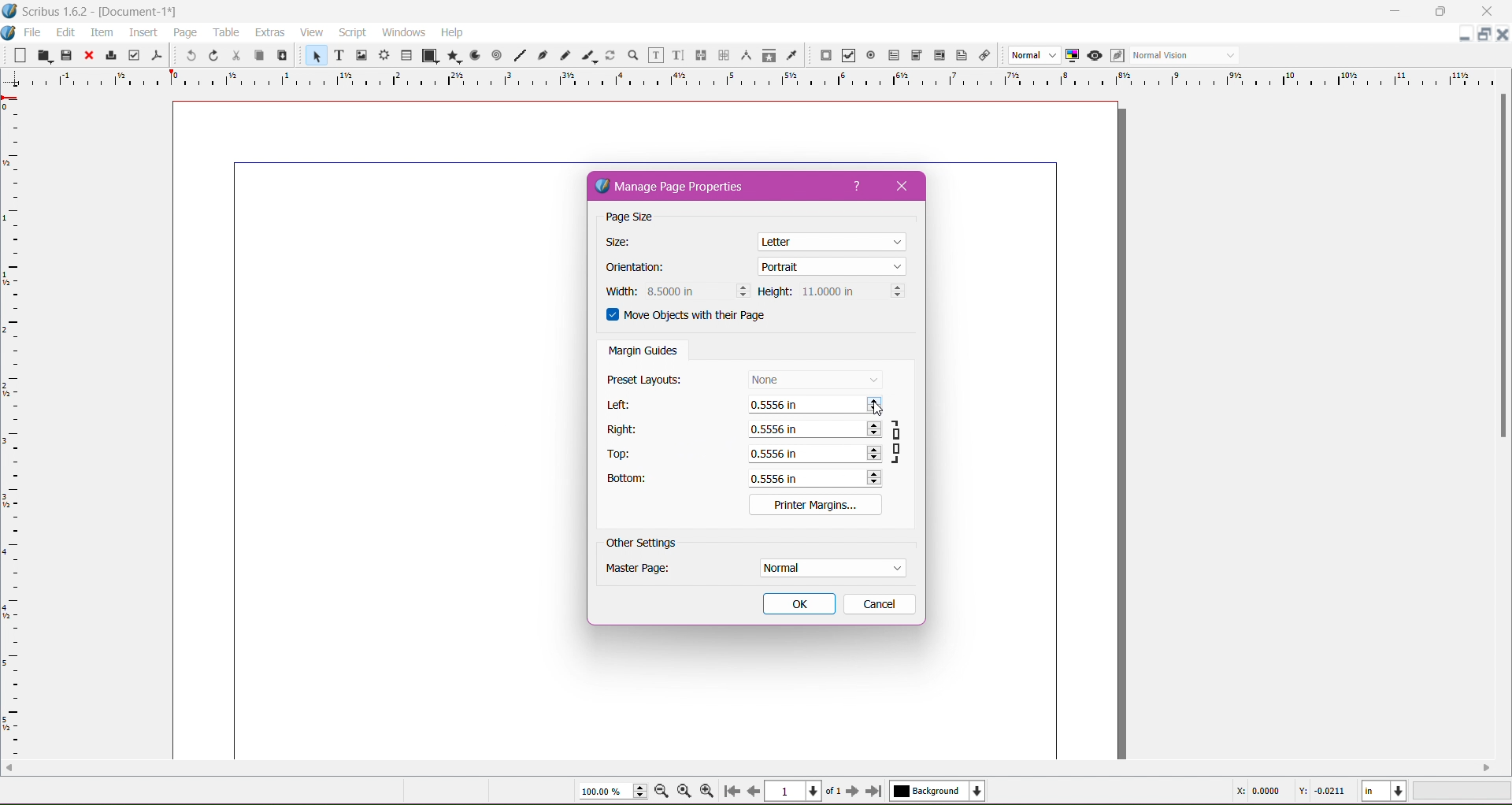  Describe the element at coordinates (817, 478) in the screenshot. I see `Set Bottom margin` at that location.